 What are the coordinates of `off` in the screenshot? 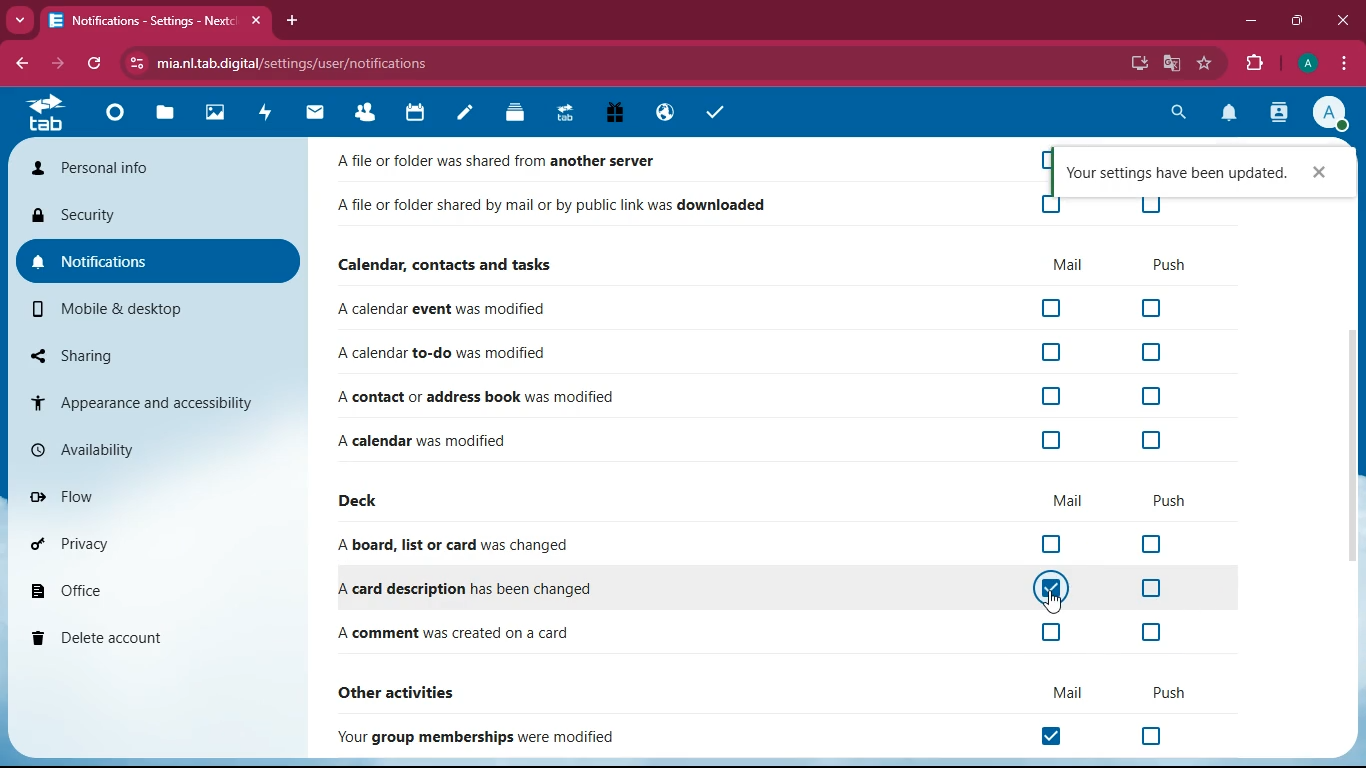 It's located at (1147, 544).